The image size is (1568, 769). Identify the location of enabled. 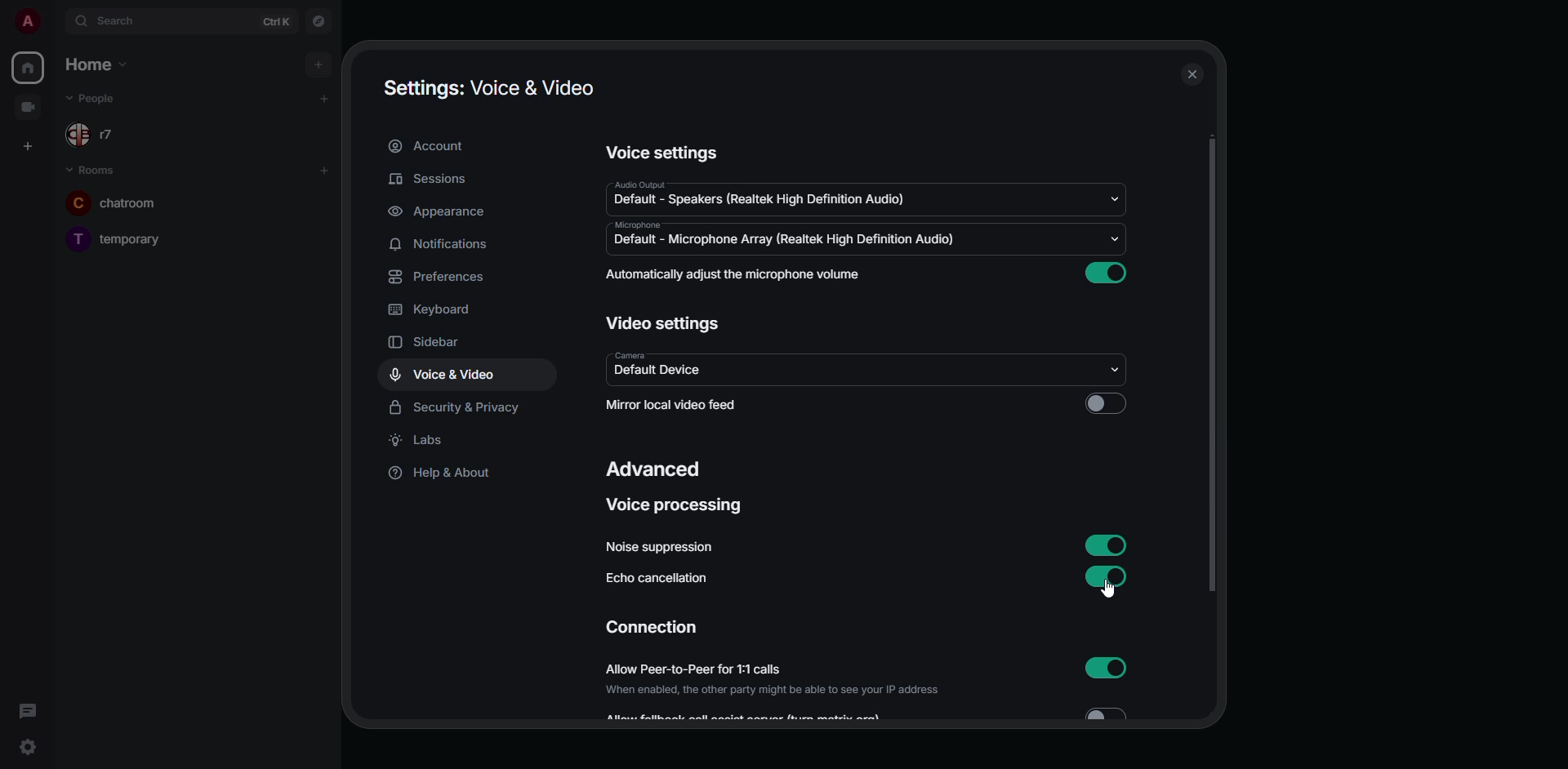
(1109, 667).